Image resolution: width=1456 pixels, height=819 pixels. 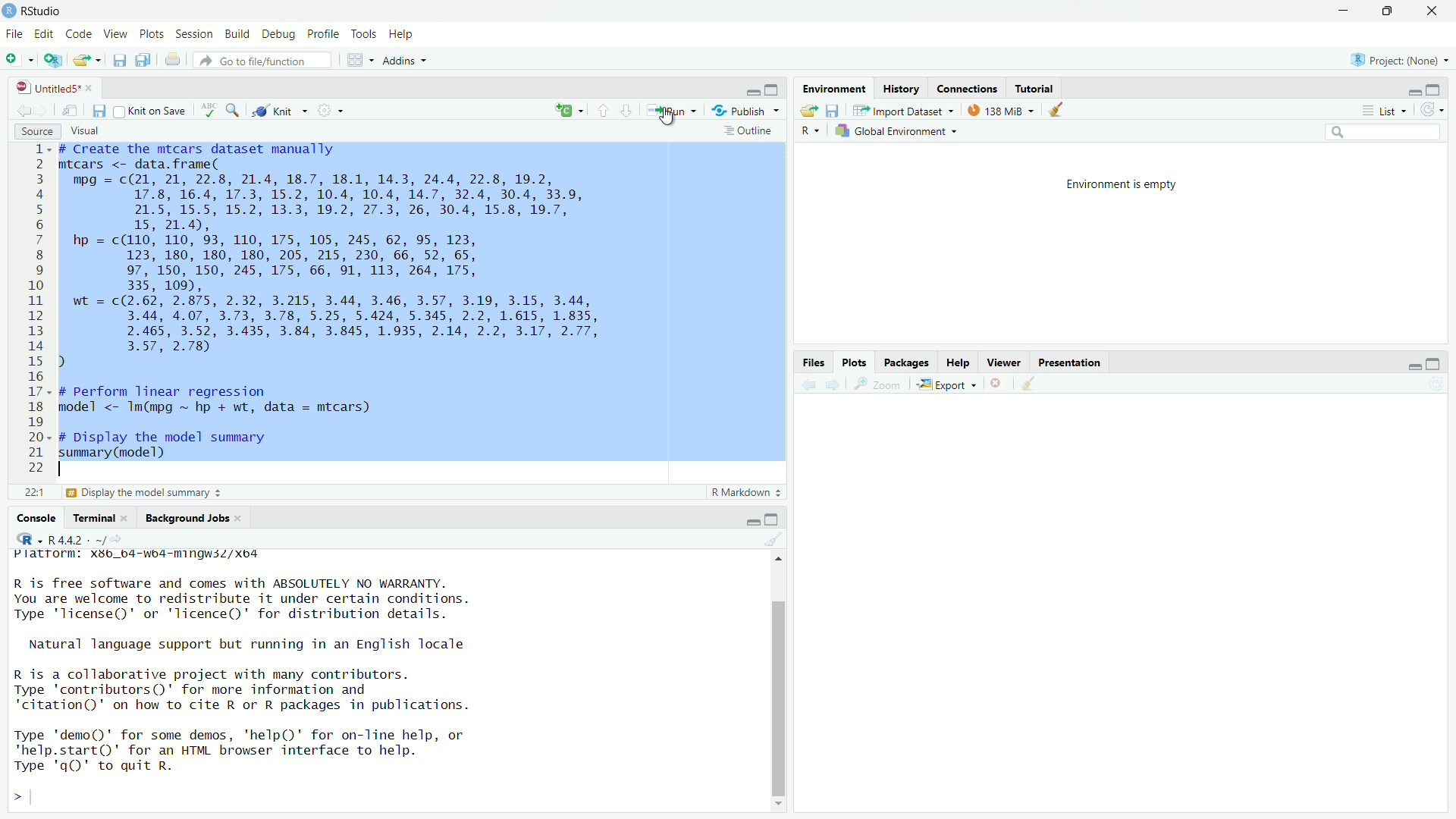 I want to click on new file, so click(x=14, y=58).